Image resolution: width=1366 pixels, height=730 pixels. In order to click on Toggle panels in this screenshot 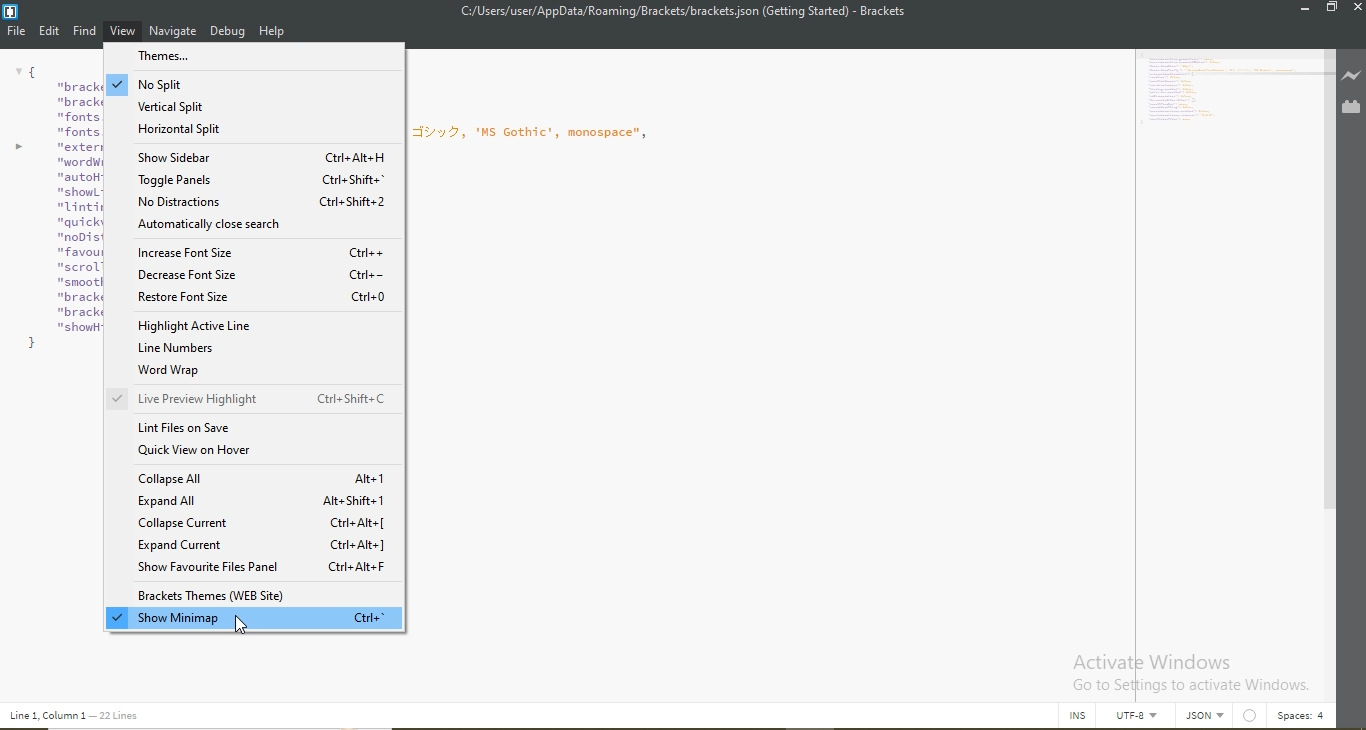, I will do `click(250, 181)`.